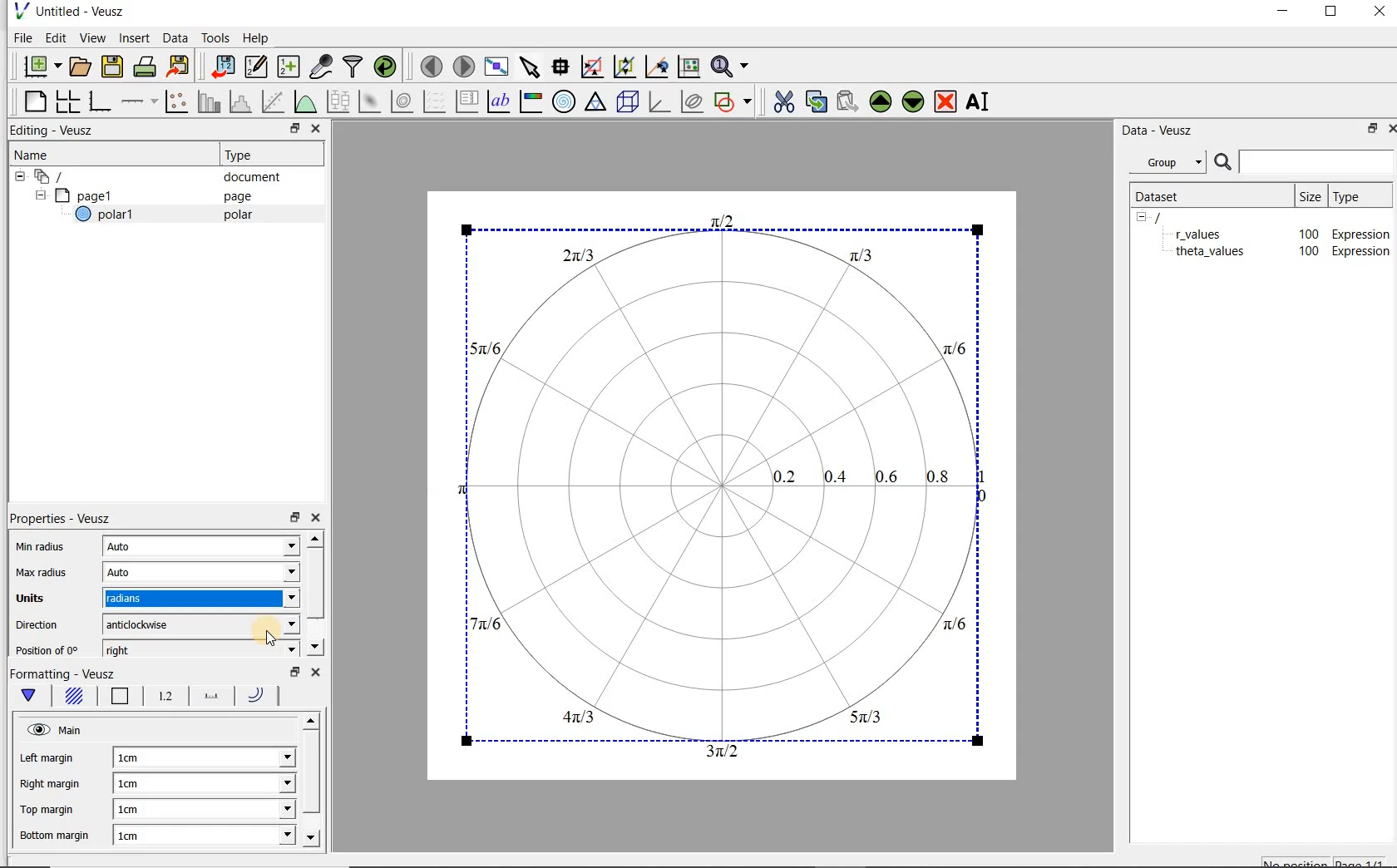 This screenshot has width=1397, height=868. Describe the element at coordinates (1281, 13) in the screenshot. I see `minimize` at that location.